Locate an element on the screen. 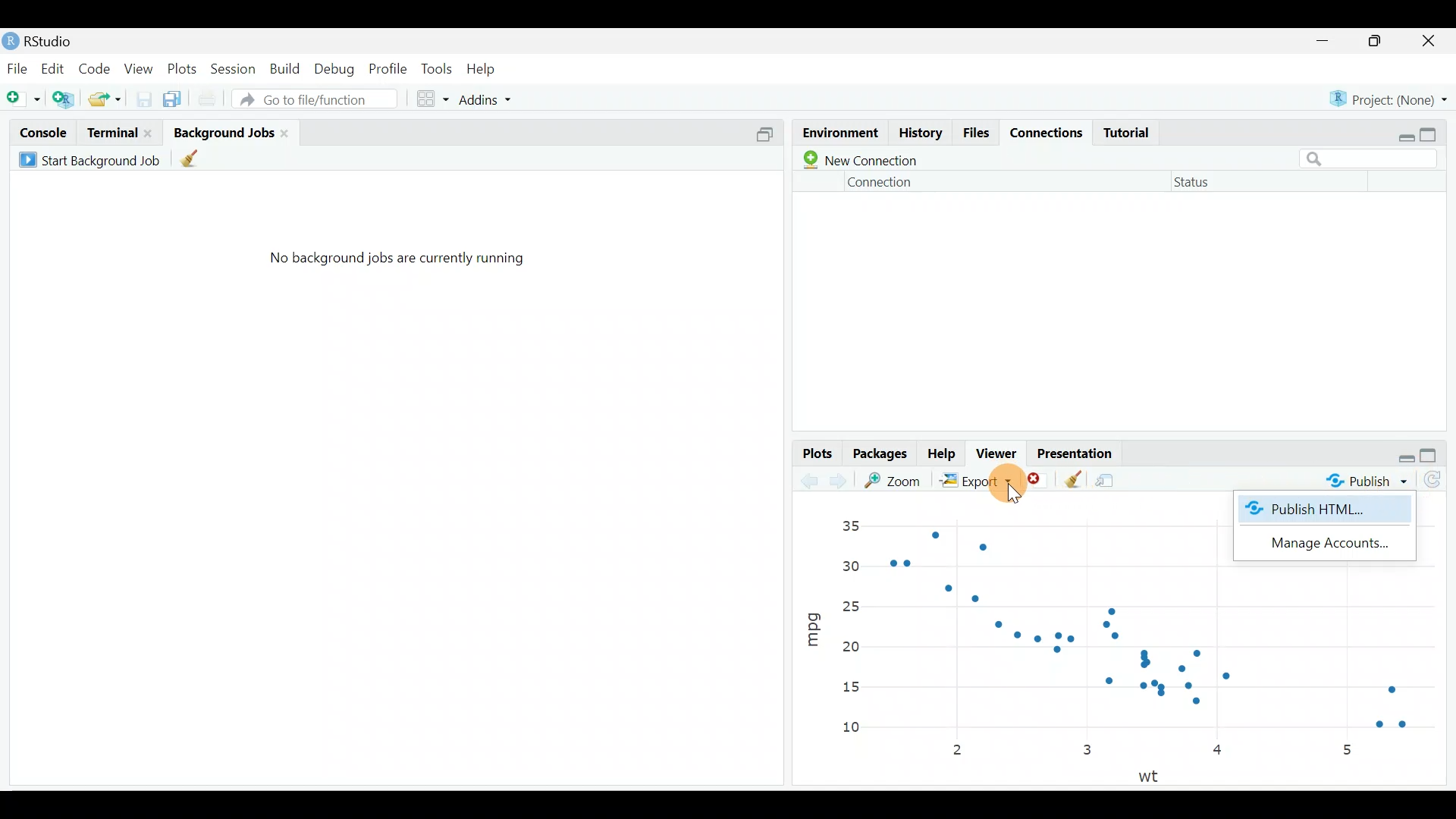 The image size is (1456, 819). Tutorial is located at coordinates (1132, 132).